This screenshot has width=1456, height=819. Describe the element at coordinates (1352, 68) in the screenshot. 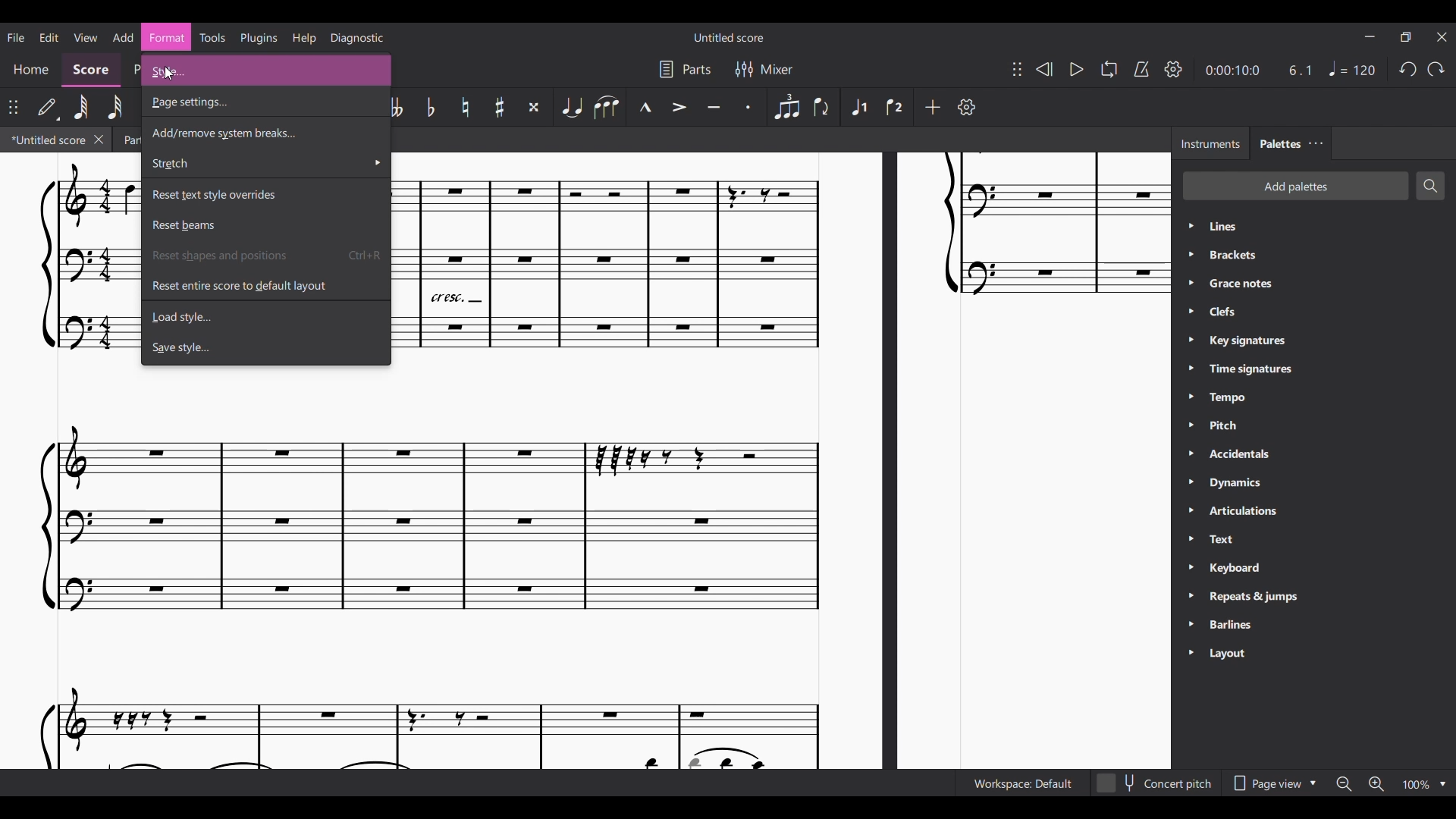

I see `Tempo` at that location.